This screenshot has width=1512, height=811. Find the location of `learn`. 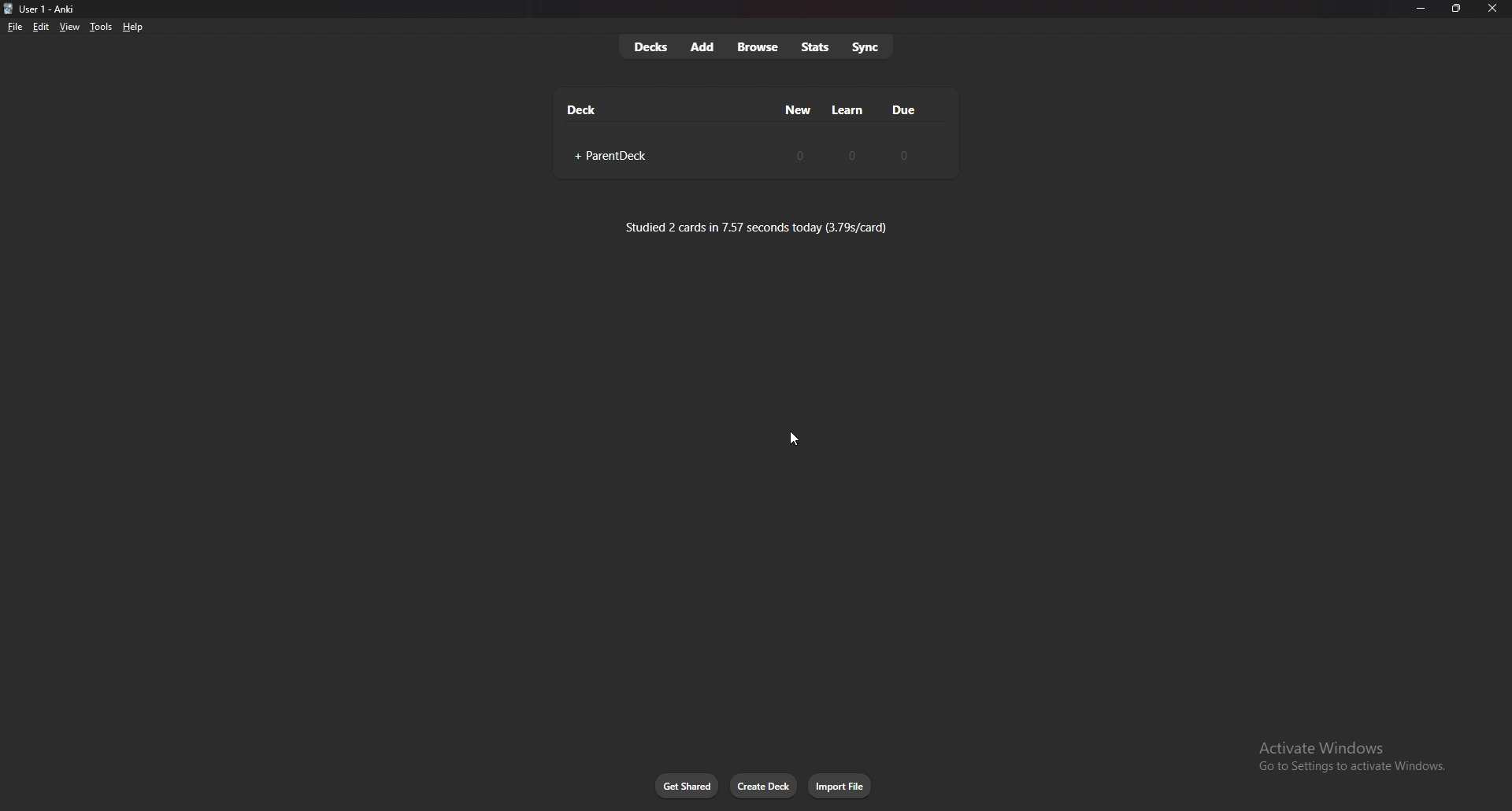

learn is located at coordinates (848, 110).